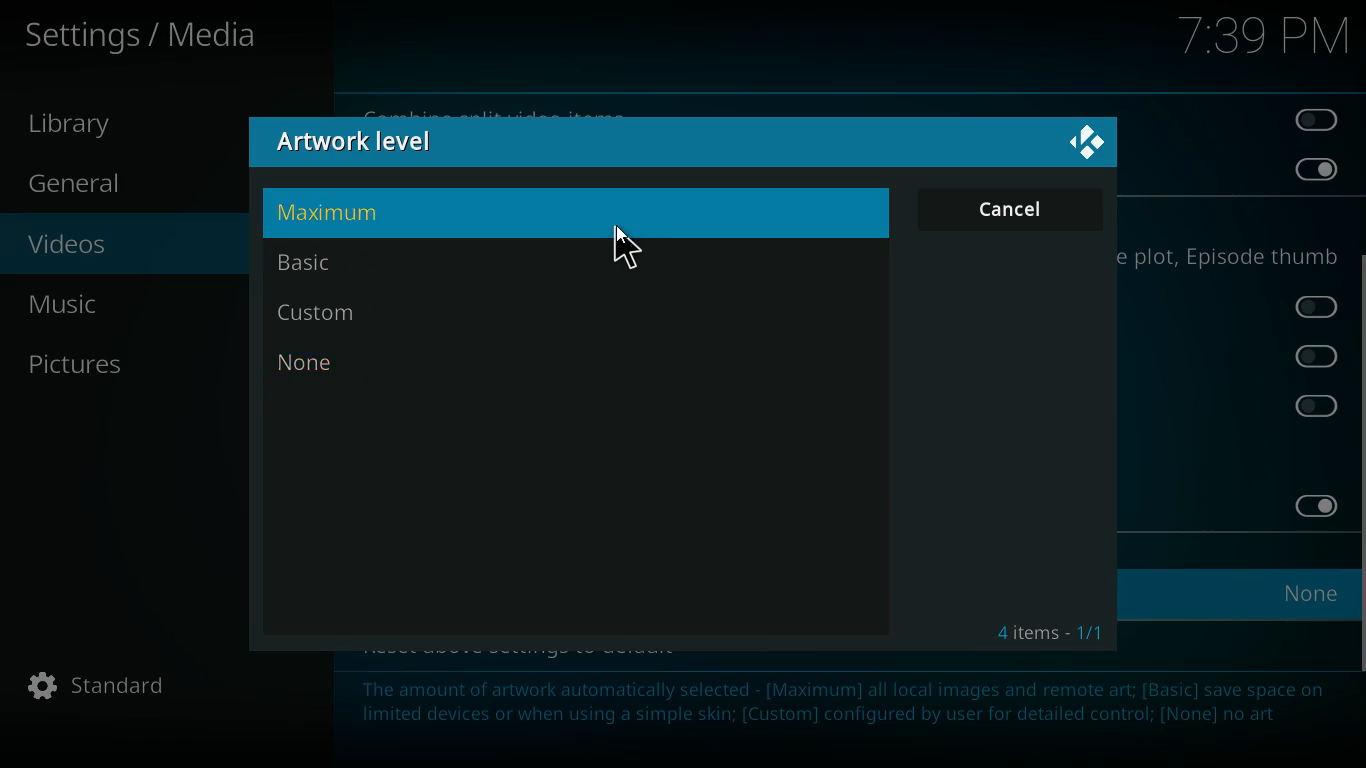 This screenshot has width=1366, height=768. What do you see at coordinates (391, 144) in the screenshot?
I see `artwork level` at bounding box center [391, 144].